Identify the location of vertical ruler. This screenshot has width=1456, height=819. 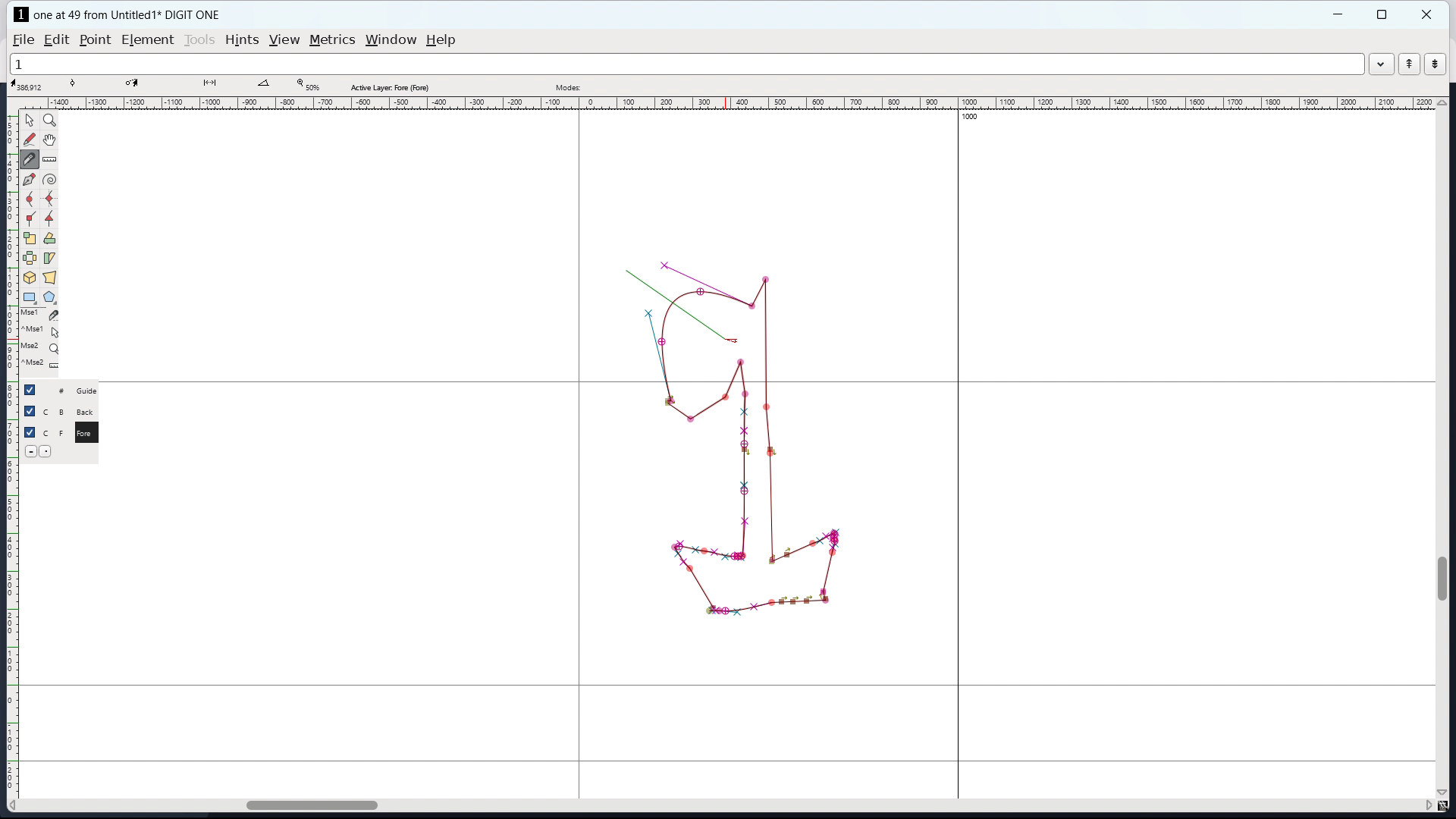
(12, 457).